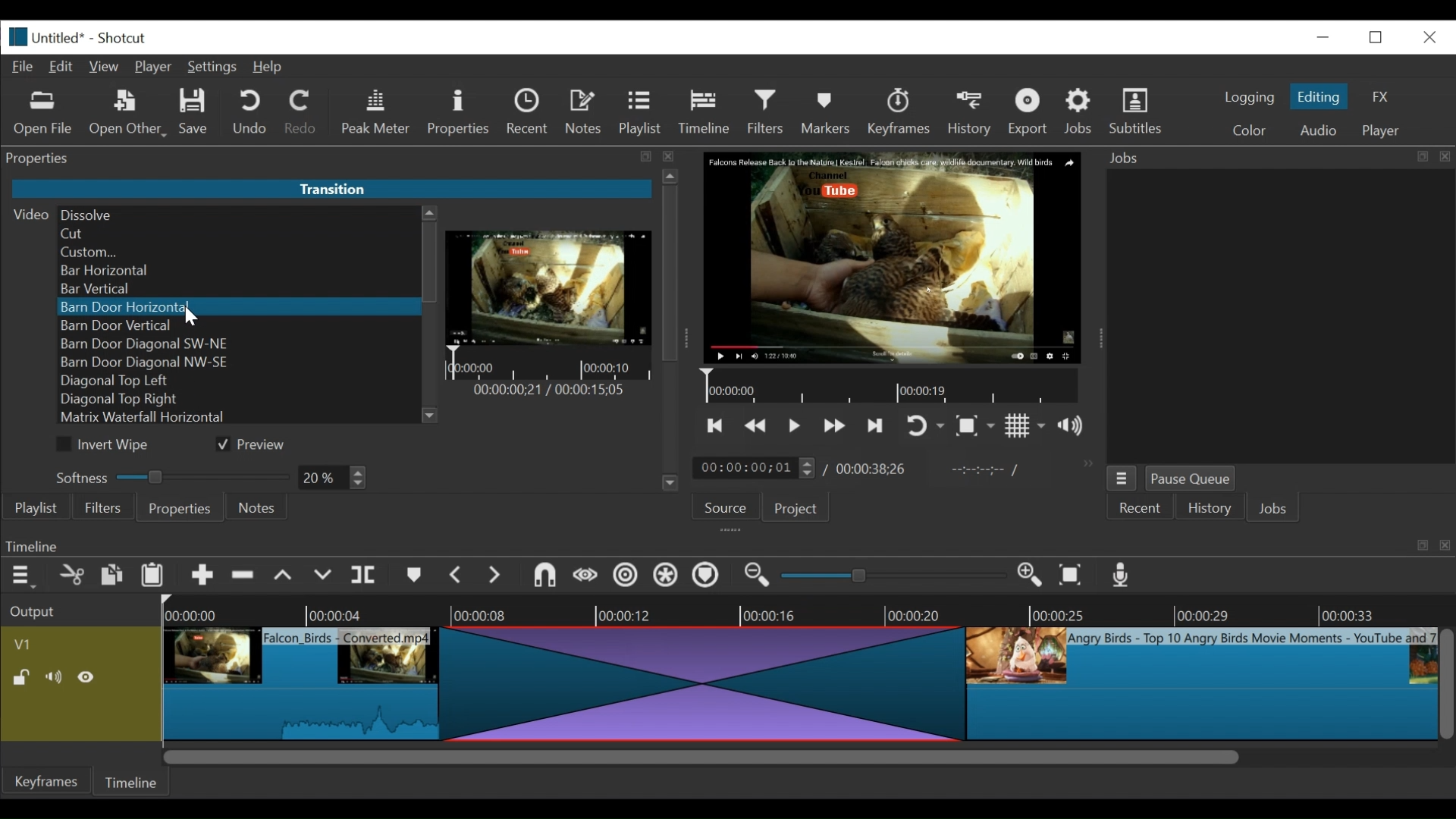 This screenshot has width=1456, height=819. Describe the element at coordinates (1280, 315) in the screenshot. I see `jobs panel` at that location.